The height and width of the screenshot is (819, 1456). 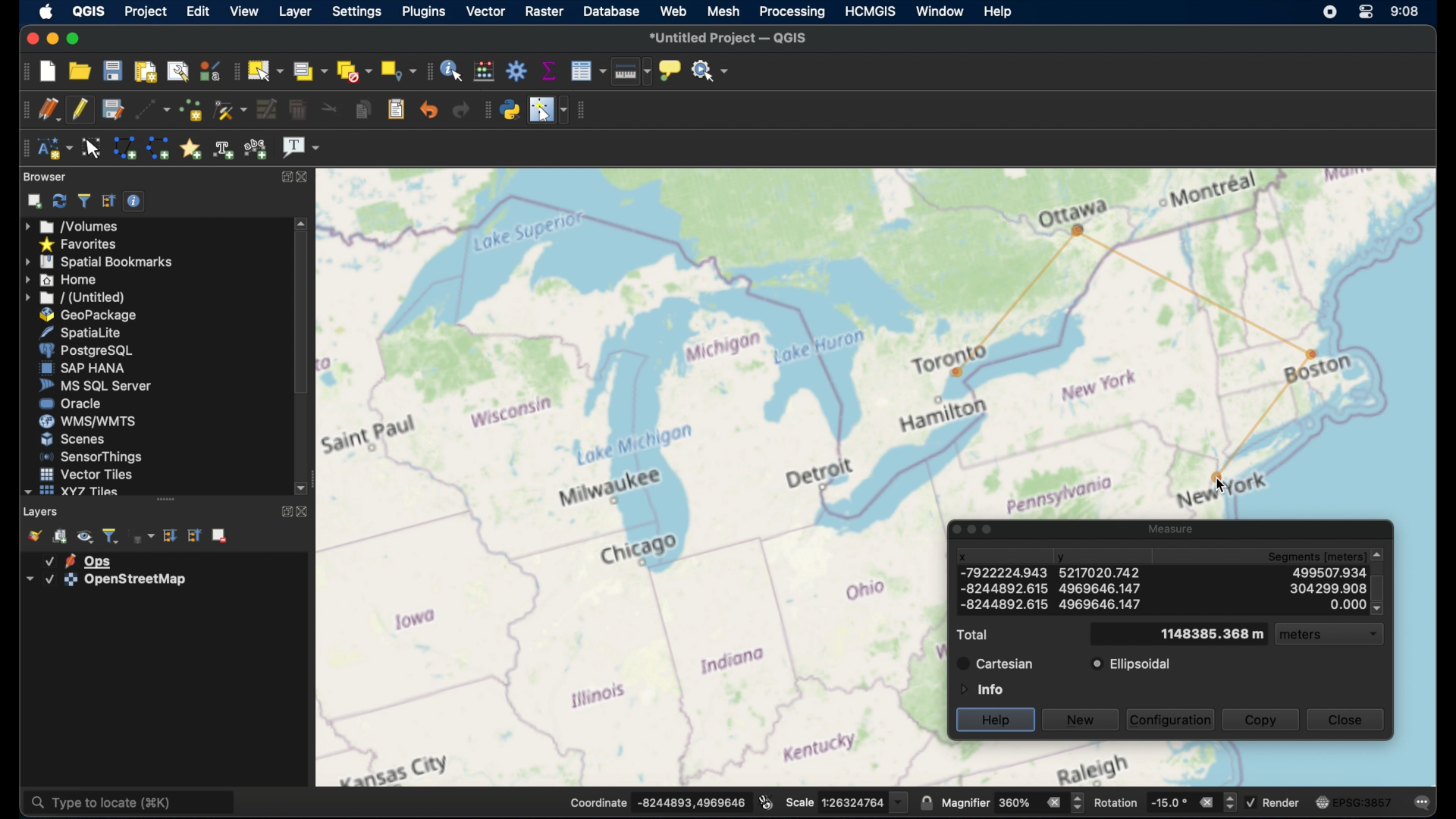 I want to click on configuration, so click(x=1172, y=719).